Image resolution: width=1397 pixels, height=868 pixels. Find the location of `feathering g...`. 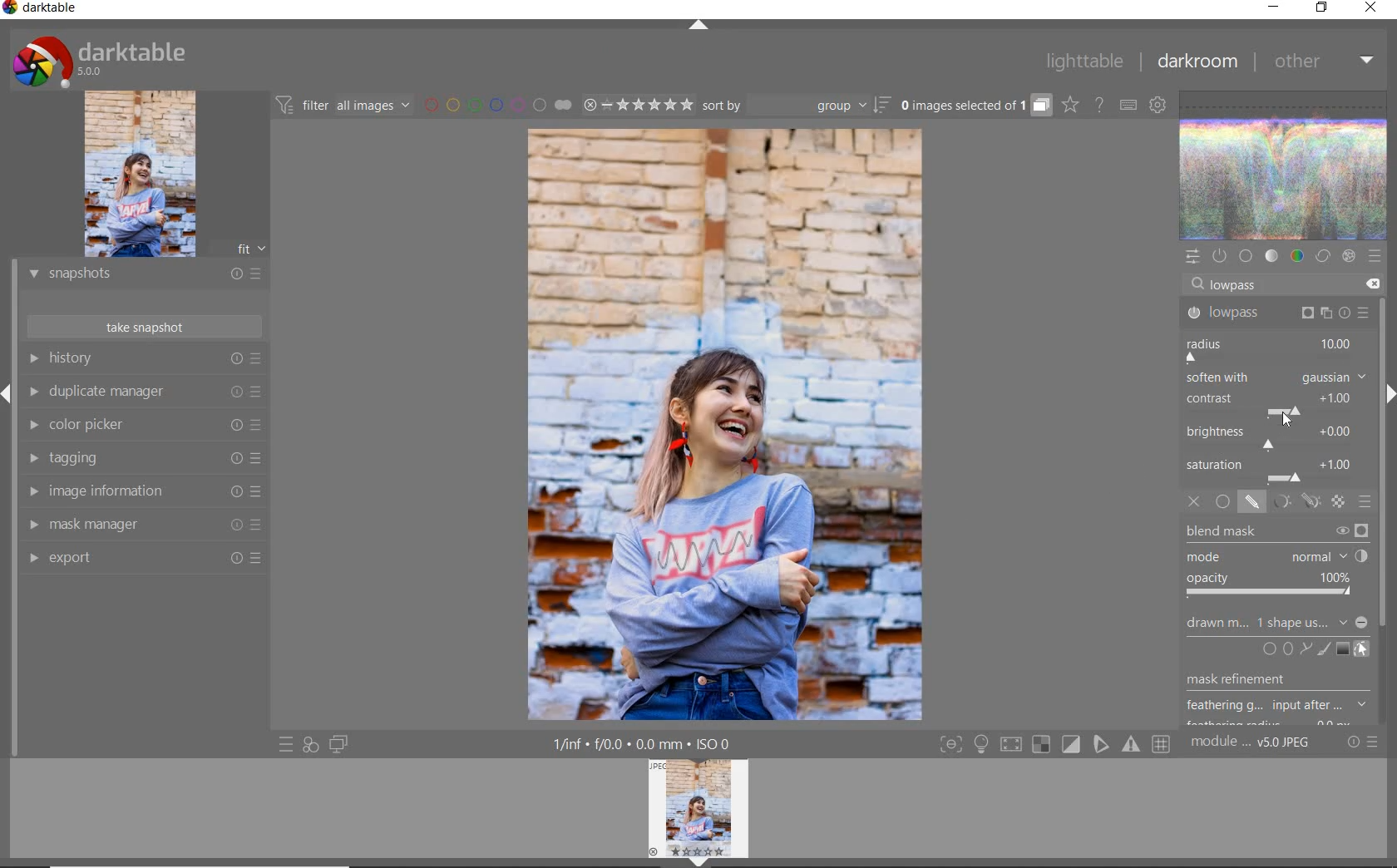

feathering g... is located at coordinates (1279, 706).